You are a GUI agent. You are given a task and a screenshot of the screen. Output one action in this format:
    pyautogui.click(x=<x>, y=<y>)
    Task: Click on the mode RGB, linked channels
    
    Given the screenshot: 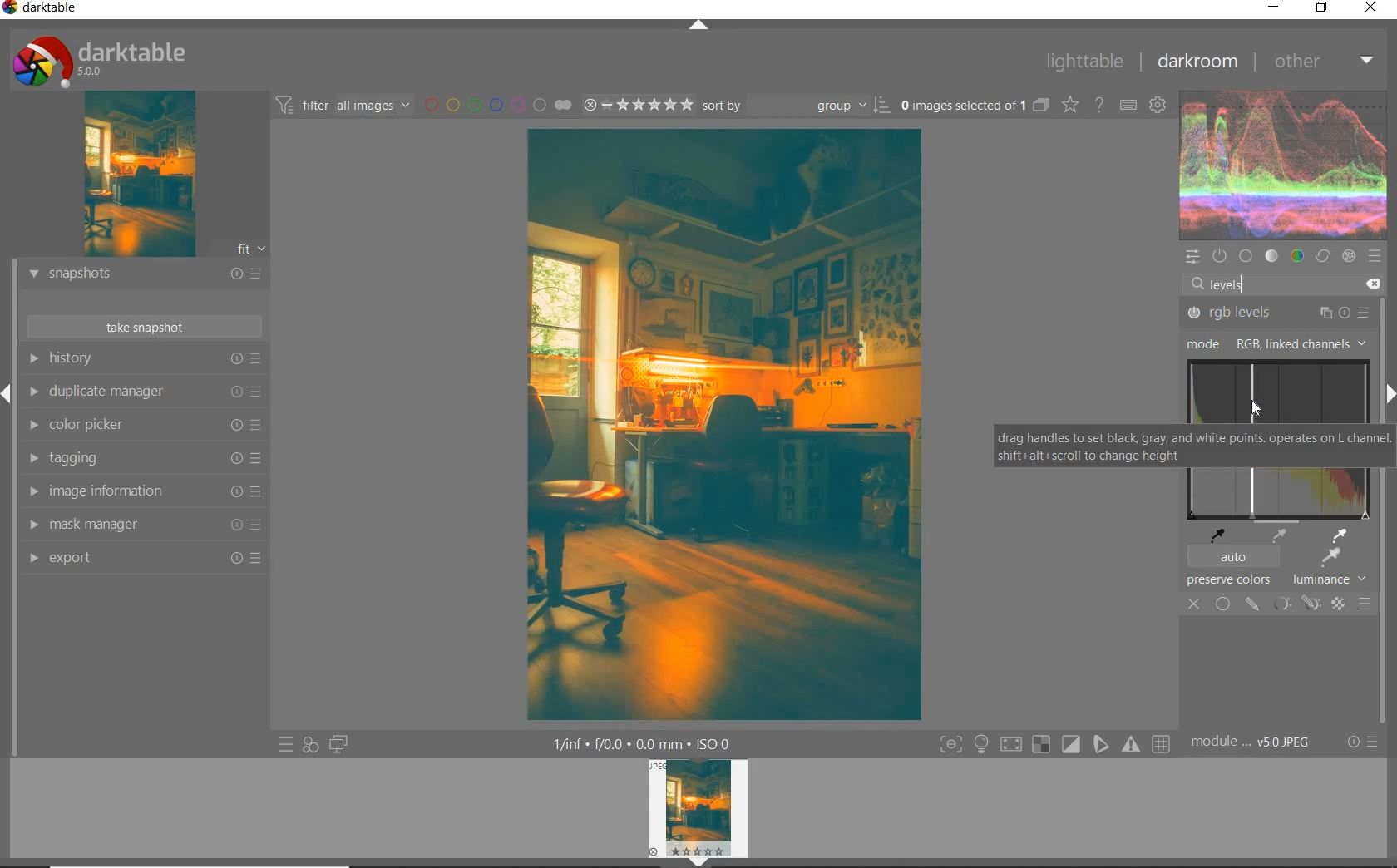 What is the action you would take?
    pyautogui.click(x=1272, y=344)
    